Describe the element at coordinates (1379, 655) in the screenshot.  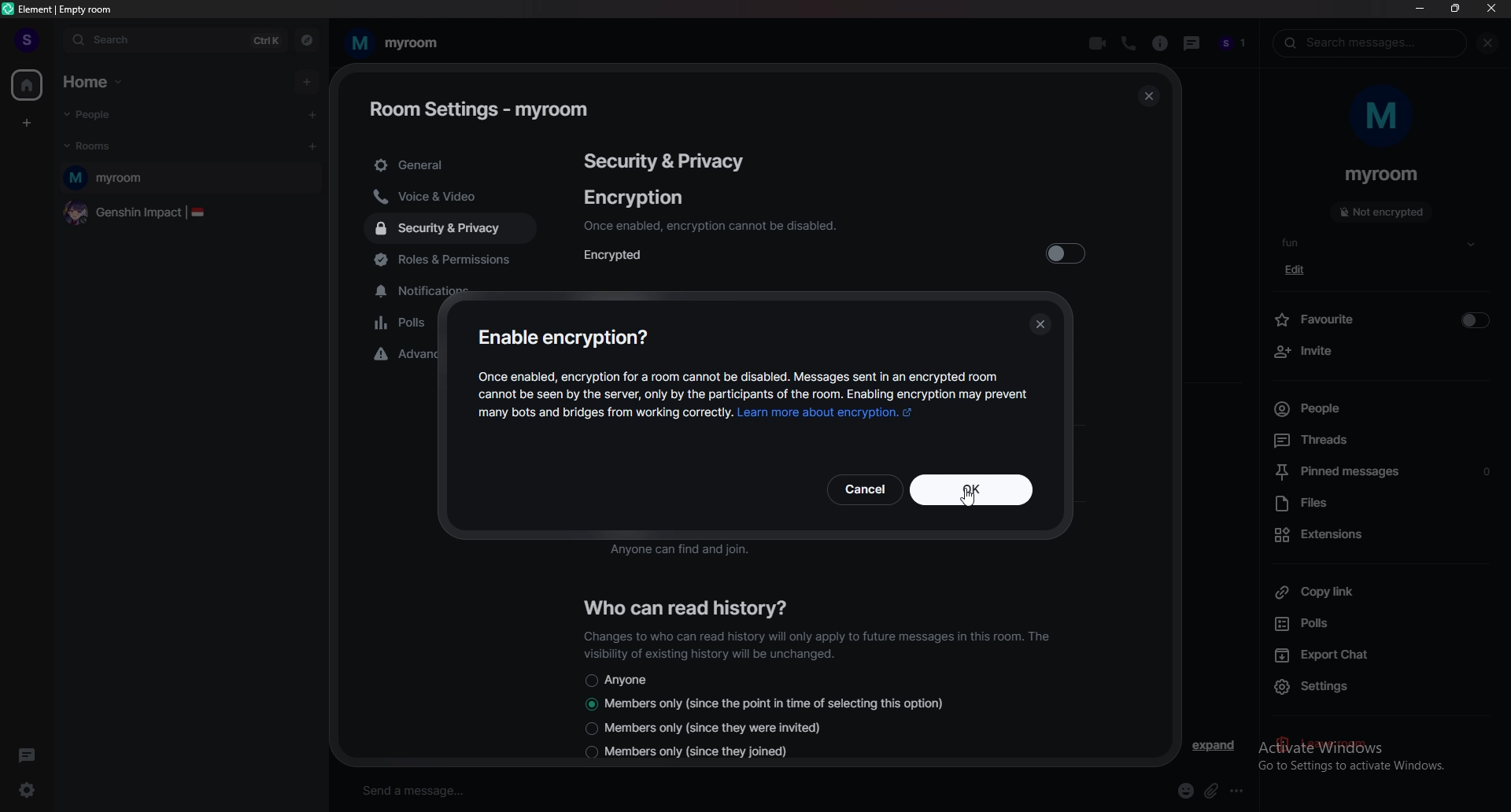
I see `export chat` at that location.